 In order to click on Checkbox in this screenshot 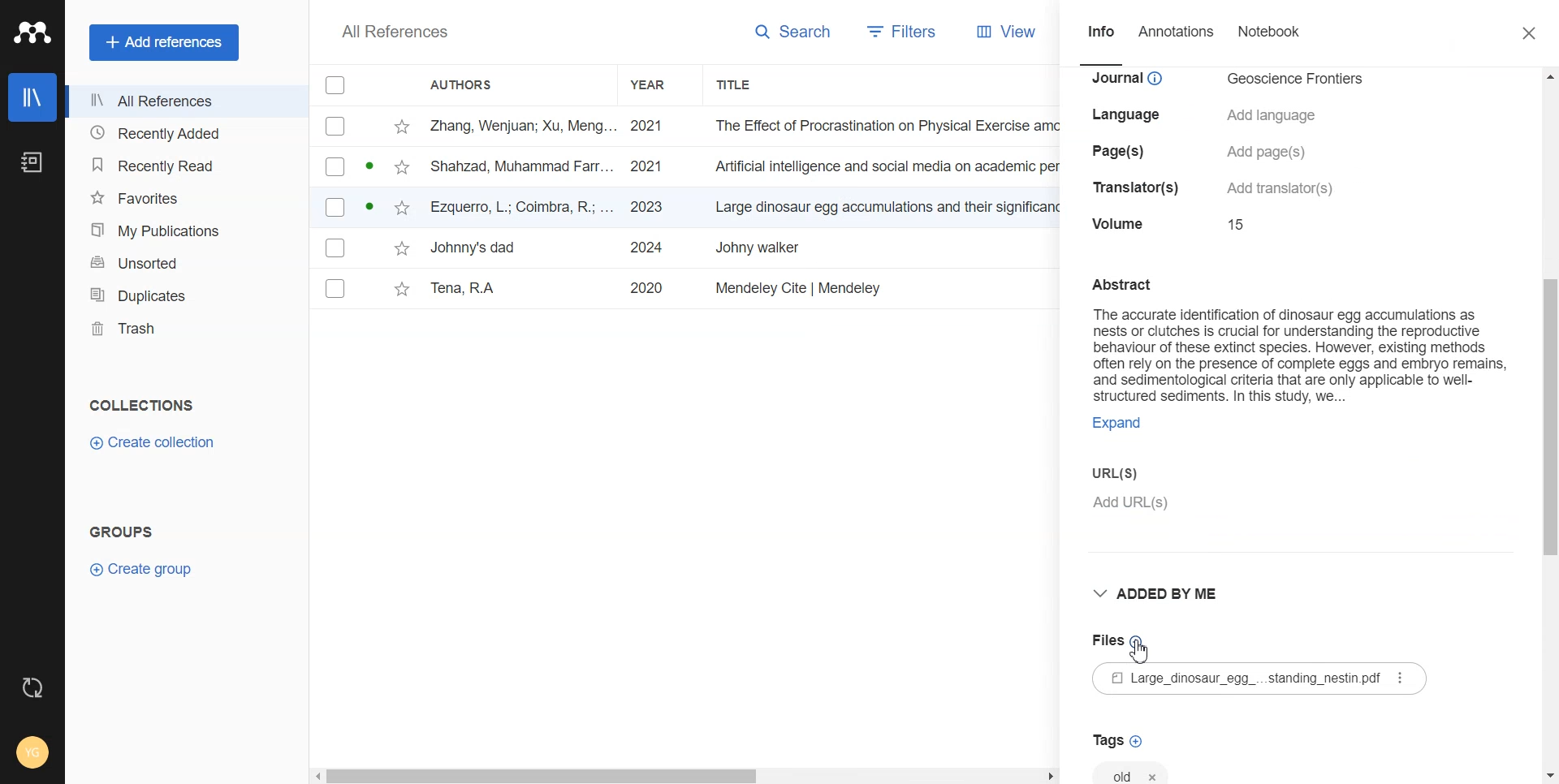, I will do `click(337, 85)`.